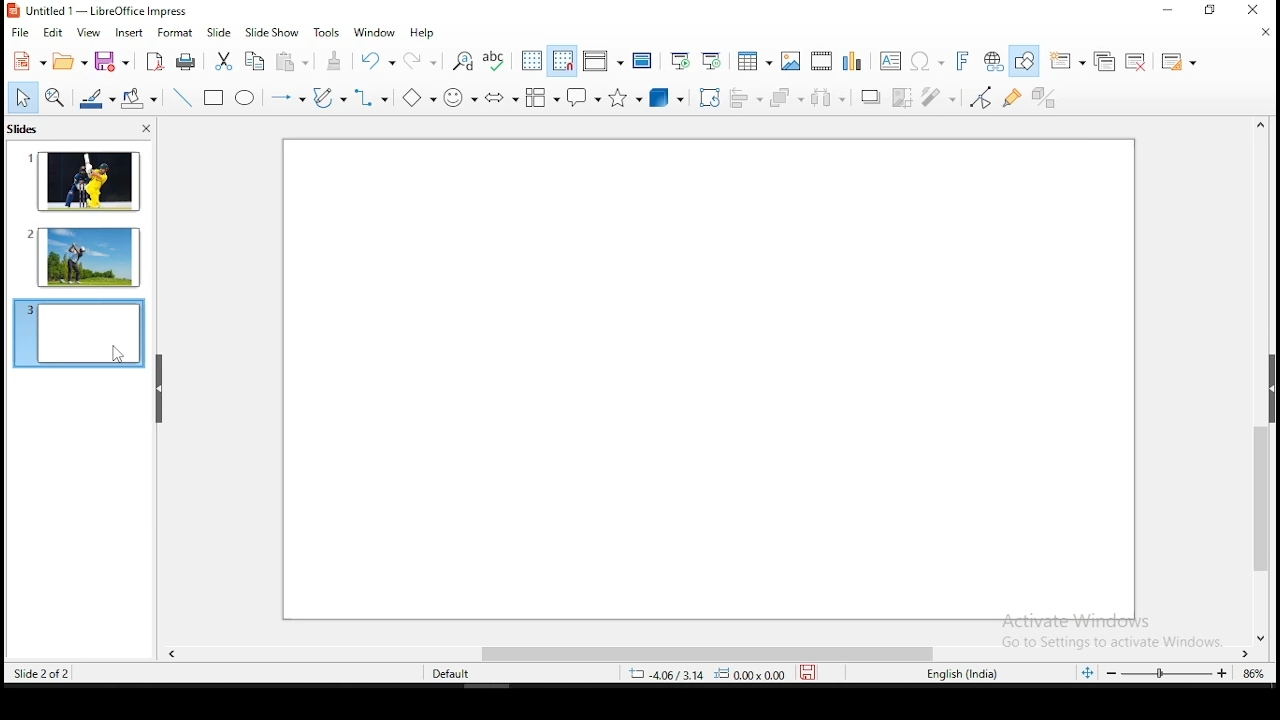  What do you see at coordinates (136, 98) in the screenshot?
I see `fill color` at bounding box center [136, 98].